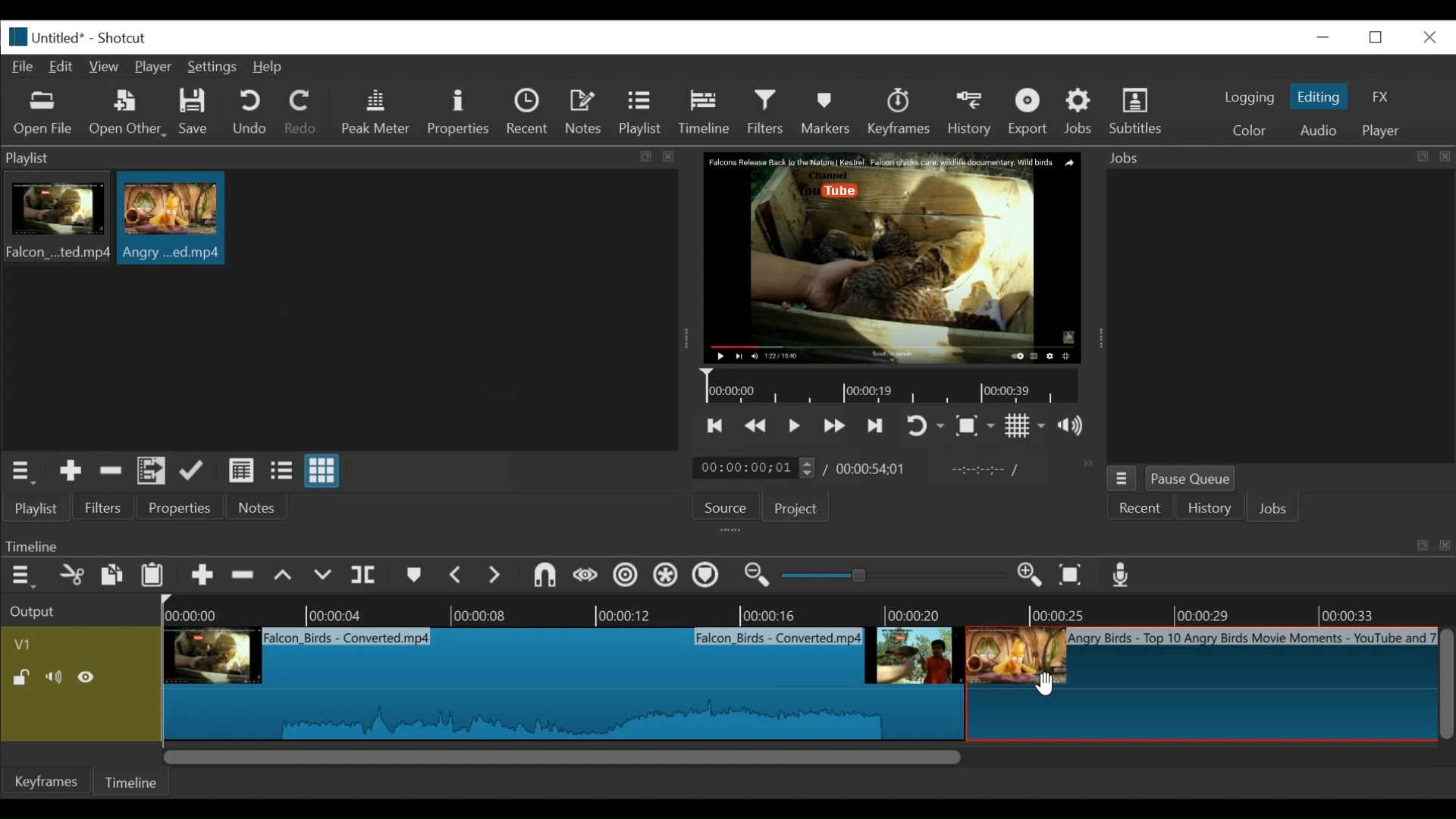 This screenshot has height=819, width=1456. Describe the element at coordinates (195, 474) in the screenshot. I see `update` at that location.